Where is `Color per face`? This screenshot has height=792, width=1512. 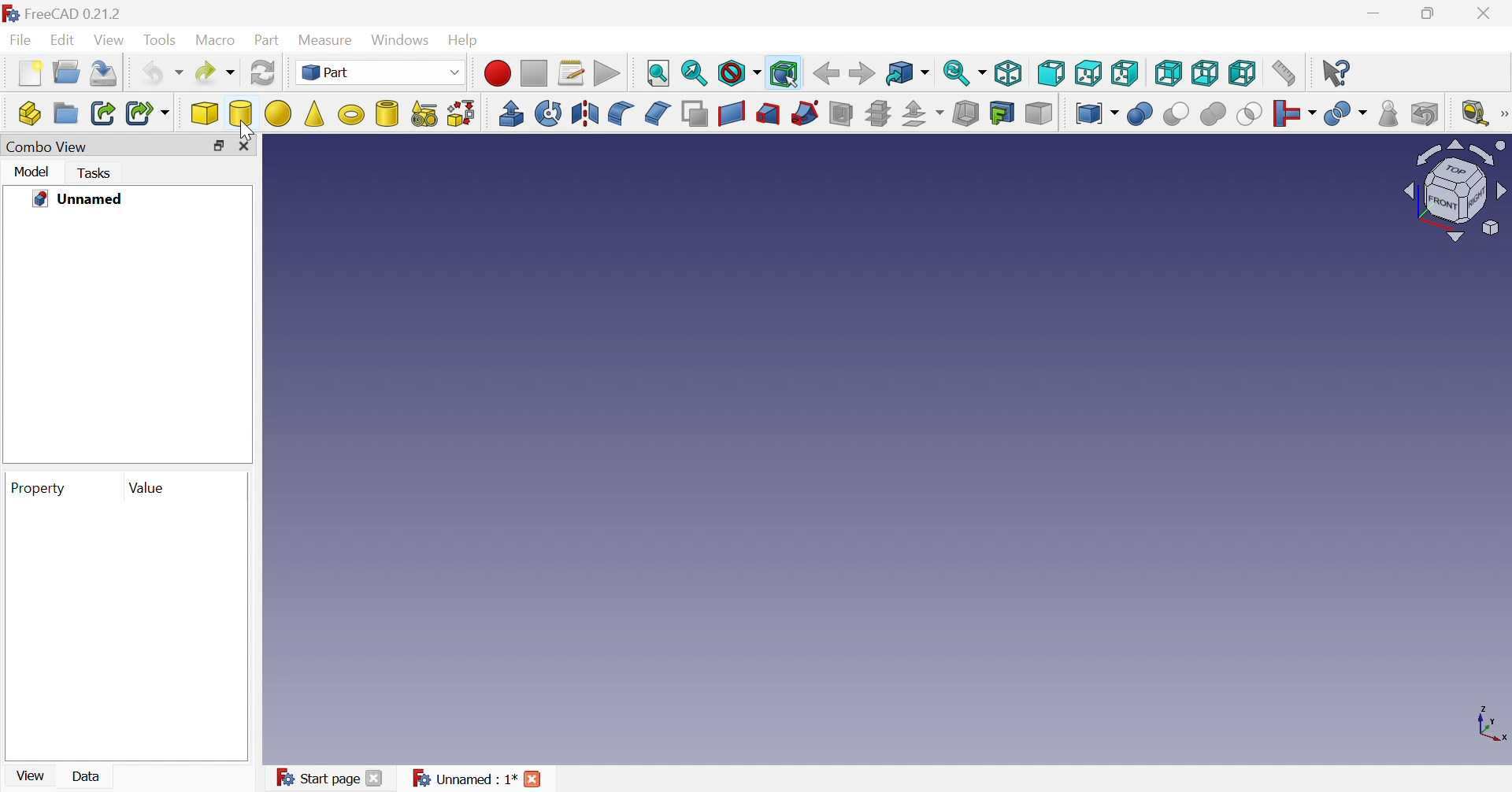
Color per face is located at coordinates (1039, 113).